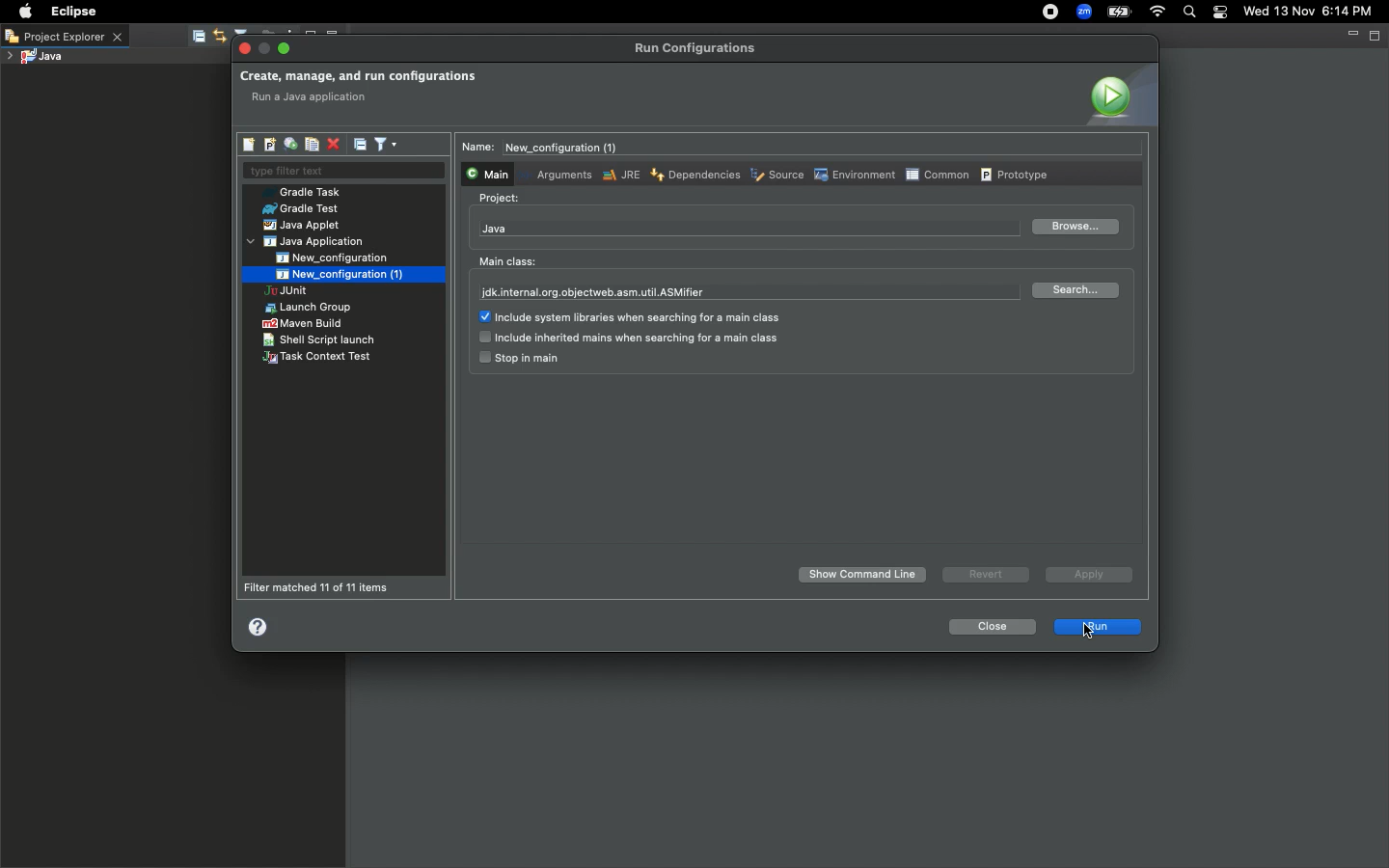  I want to click on Grade test, so click(299, 209).